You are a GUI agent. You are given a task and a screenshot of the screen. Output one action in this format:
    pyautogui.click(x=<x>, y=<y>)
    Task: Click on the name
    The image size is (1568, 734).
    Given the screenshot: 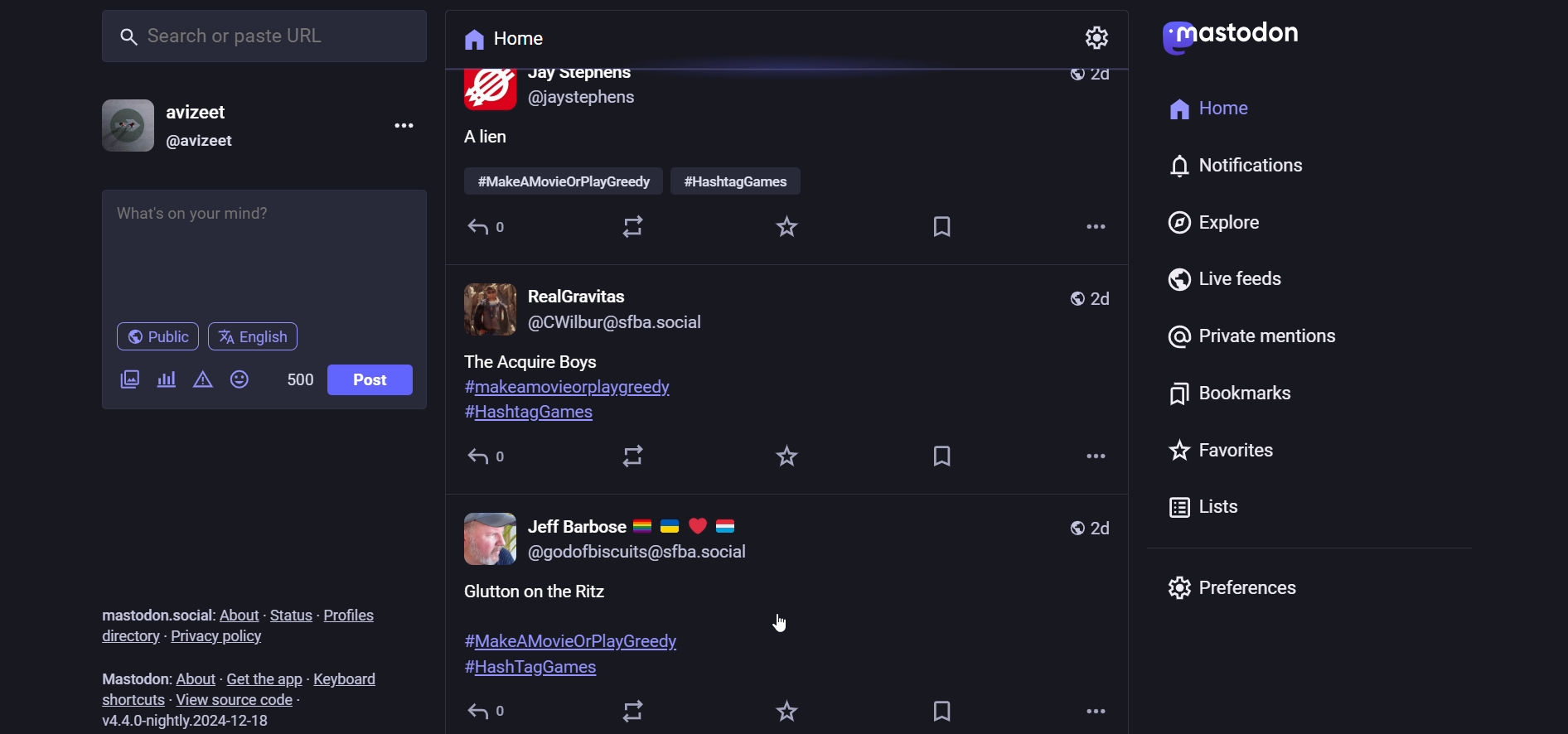 What is the action you would take?
    pyautogui.click(x=217, y=111)
    